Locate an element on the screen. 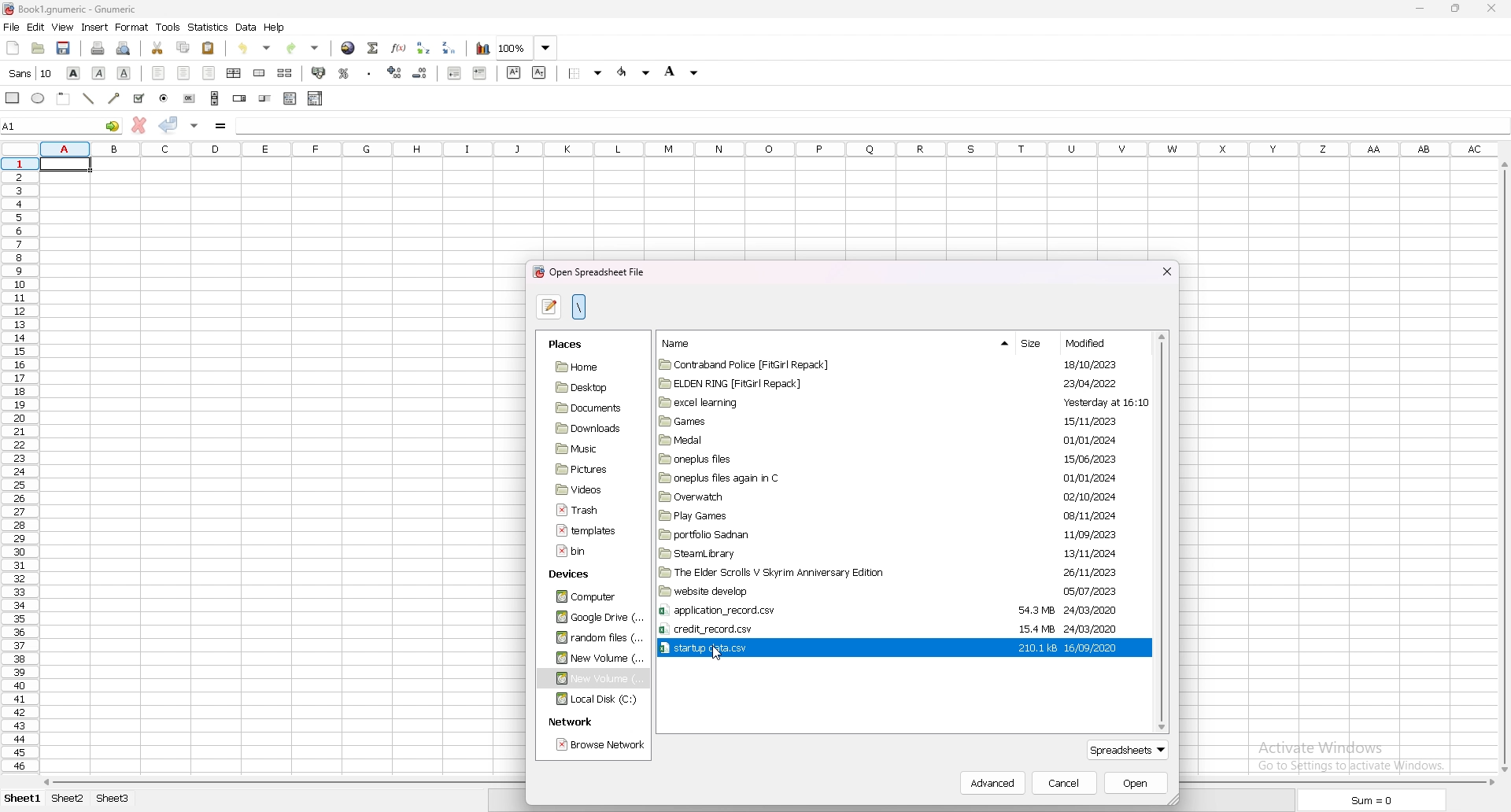 This screenshot has width=1511, height=812. Sheet 2 is located at coordinates (68, 799).